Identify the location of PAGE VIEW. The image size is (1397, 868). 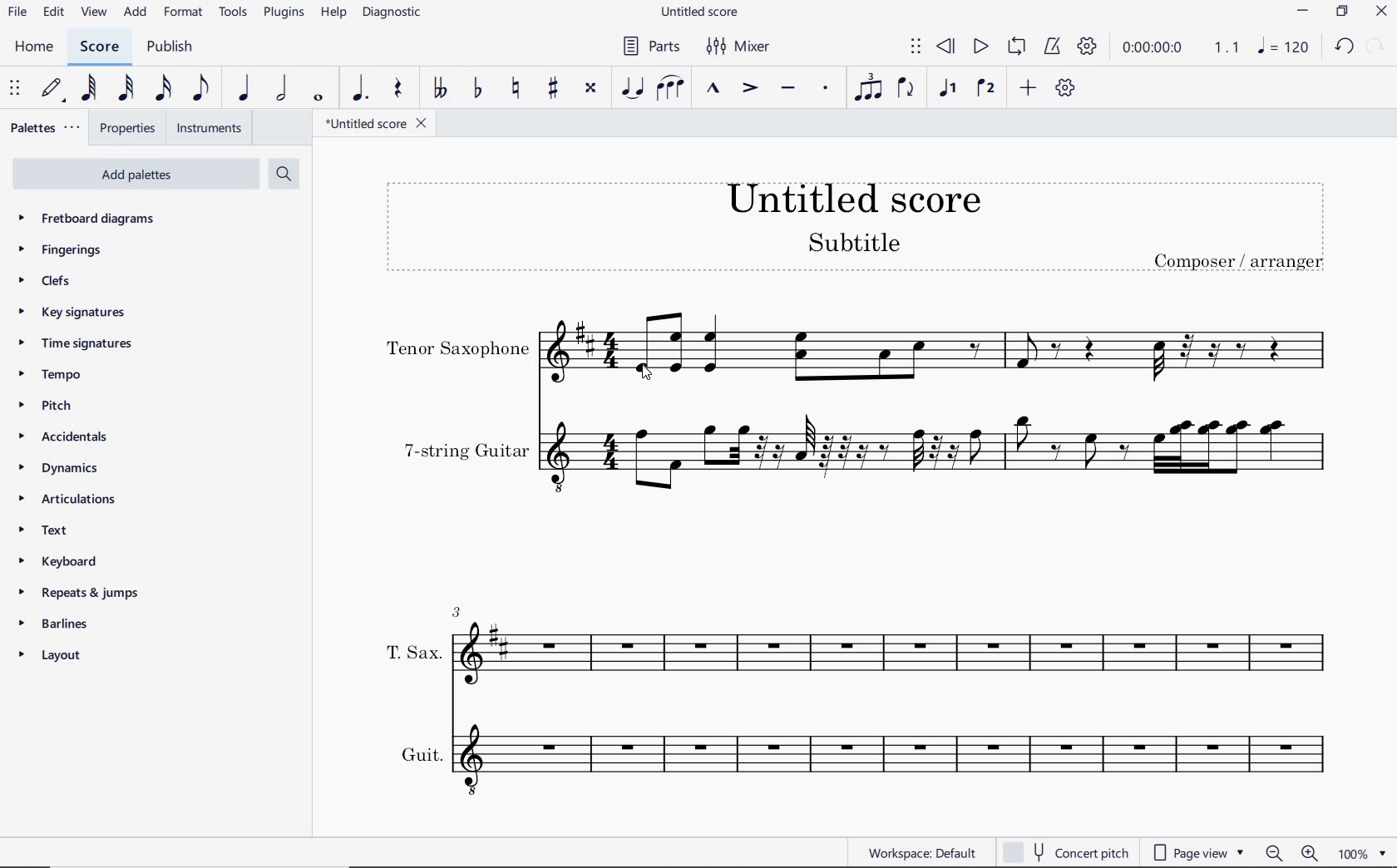
(1198, 851).